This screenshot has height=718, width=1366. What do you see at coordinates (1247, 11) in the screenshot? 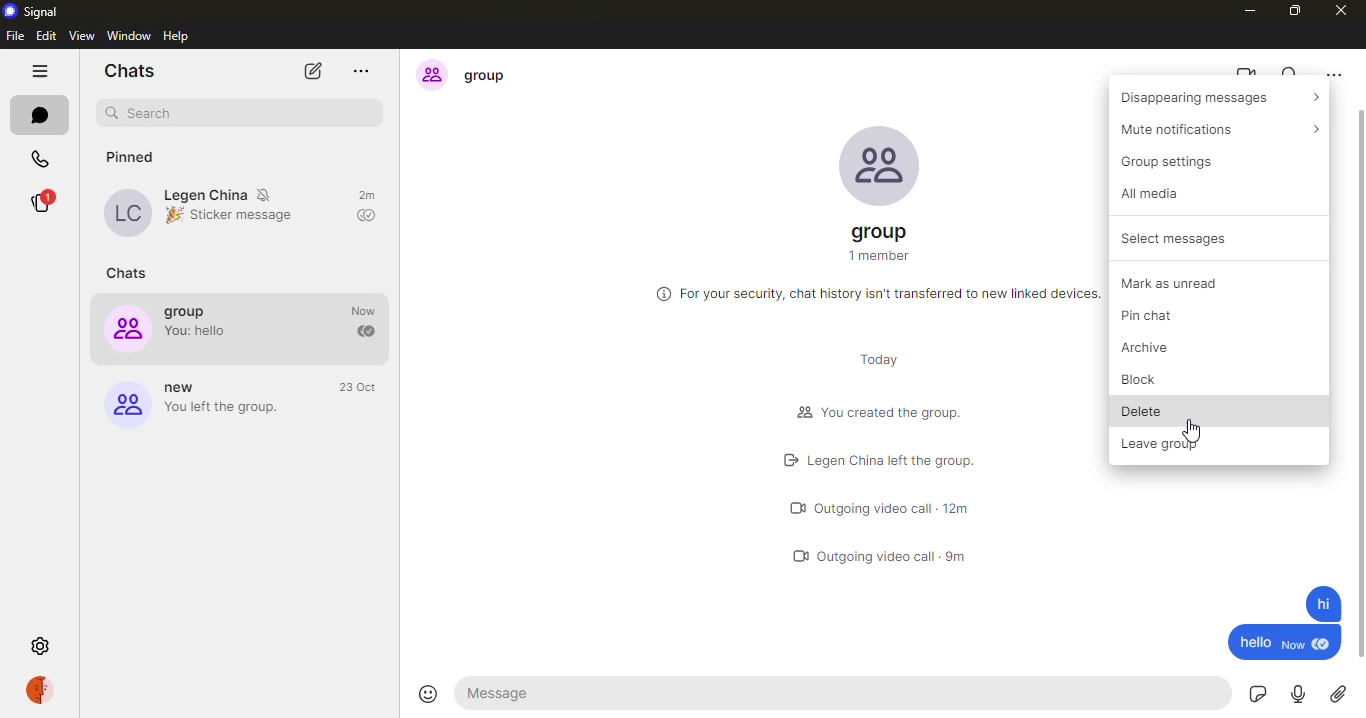
I see `minimize` at bounding box center [1247, 11].